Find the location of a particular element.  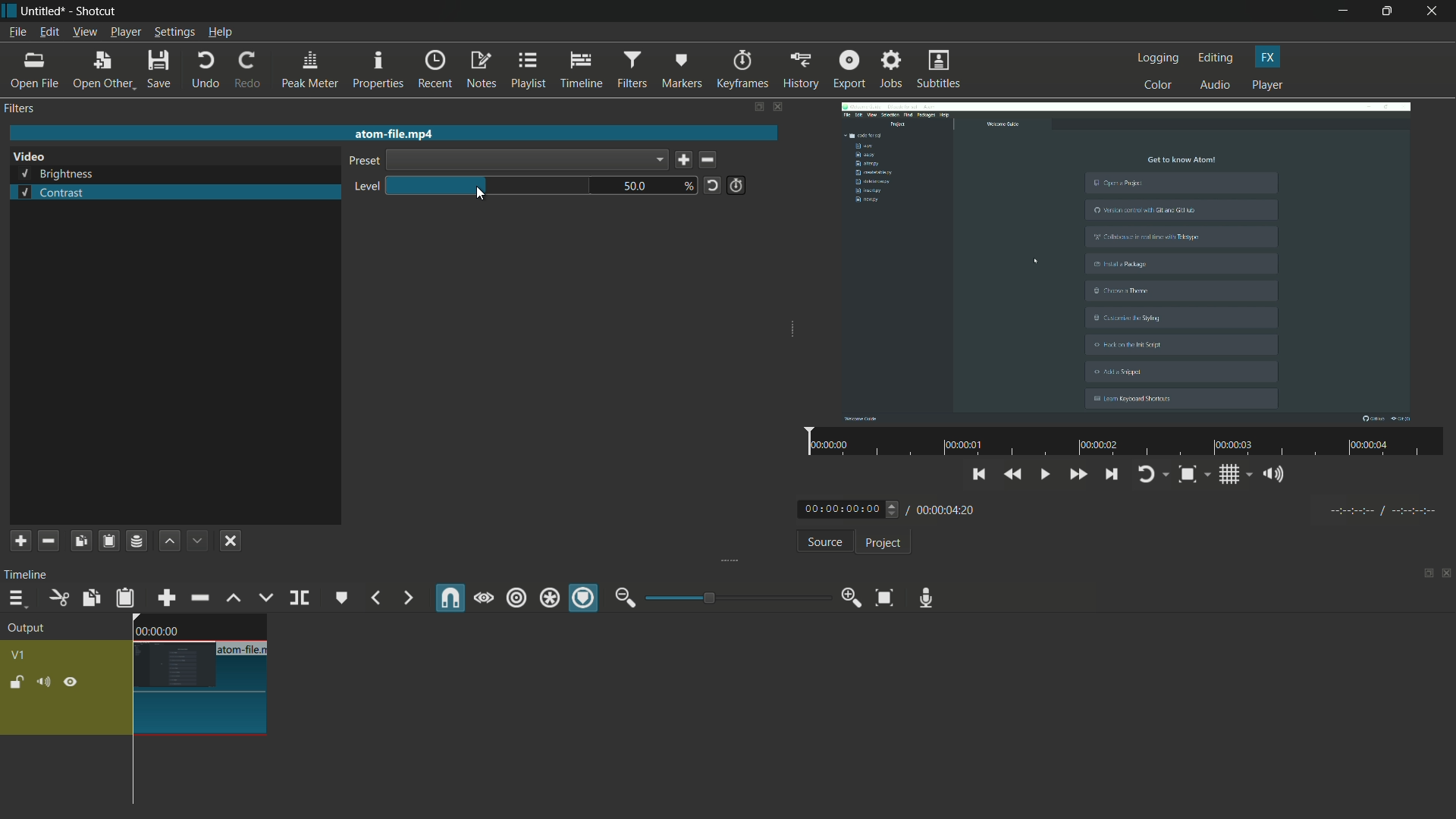

audio is located at coordinates (1216, 86).